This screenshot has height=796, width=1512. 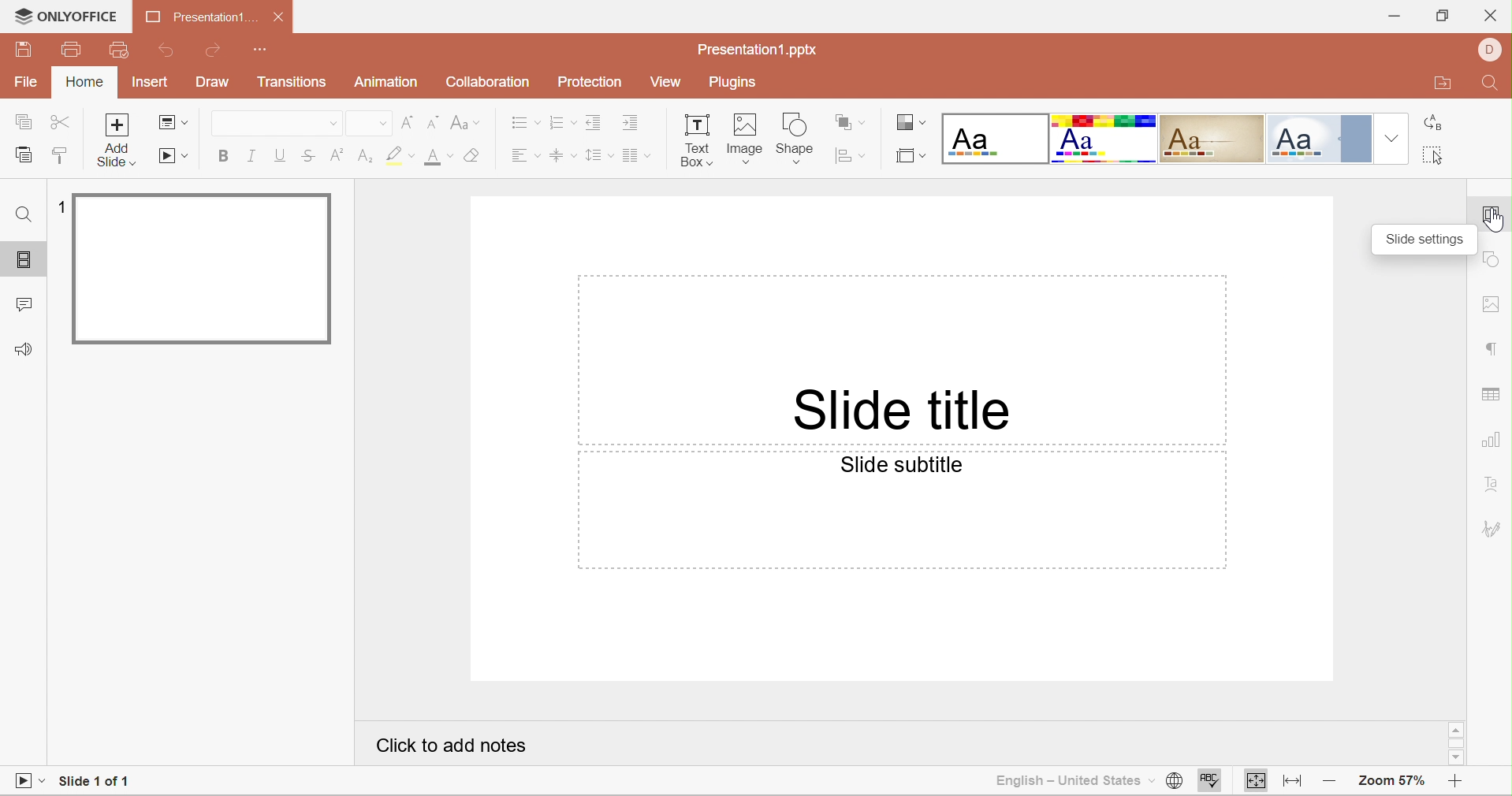 I want to click on Close, so click(x=280, y=17).